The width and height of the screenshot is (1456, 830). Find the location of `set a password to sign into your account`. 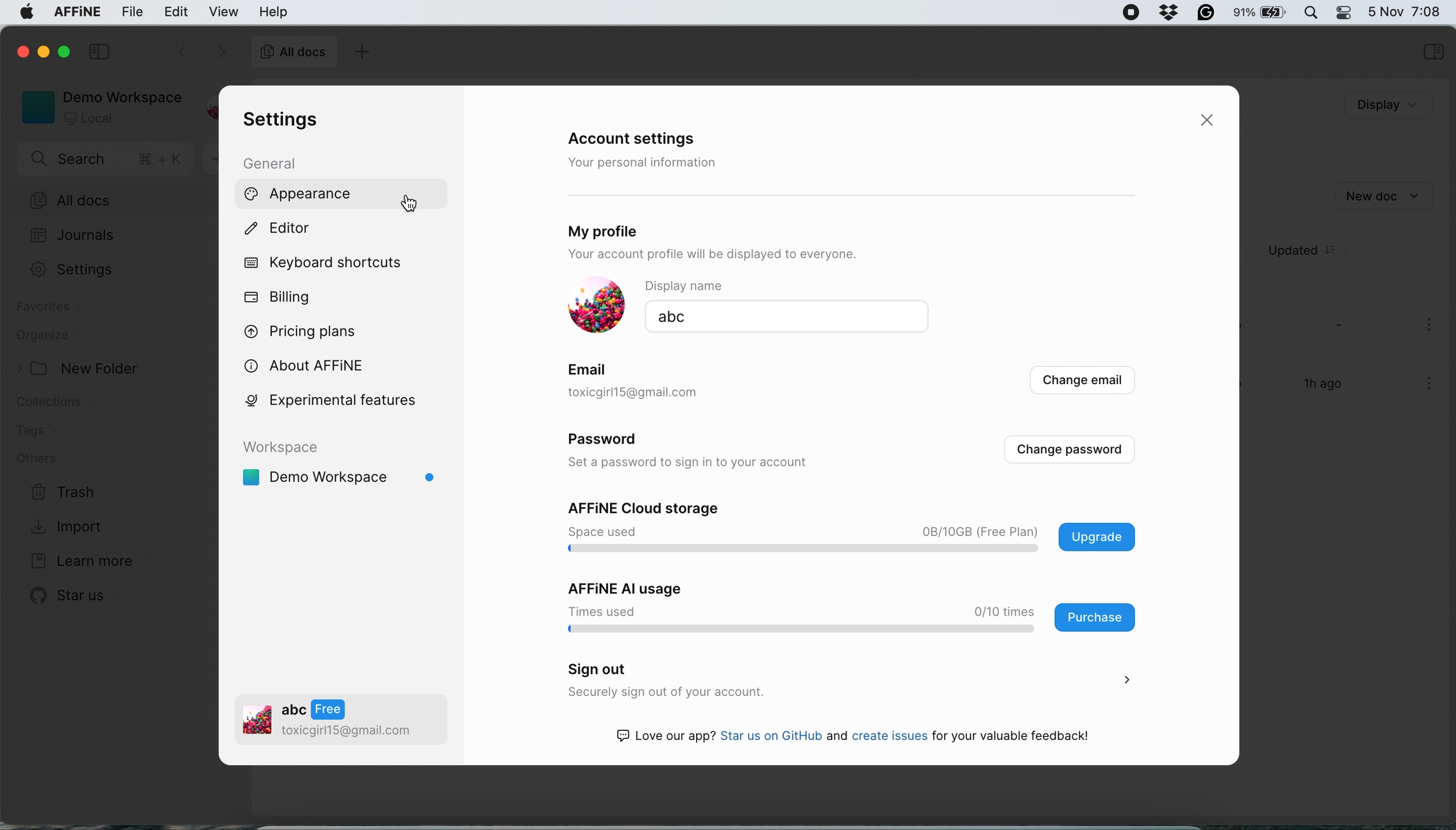

set a password to sign into your account is located at coordinates (702, 460).